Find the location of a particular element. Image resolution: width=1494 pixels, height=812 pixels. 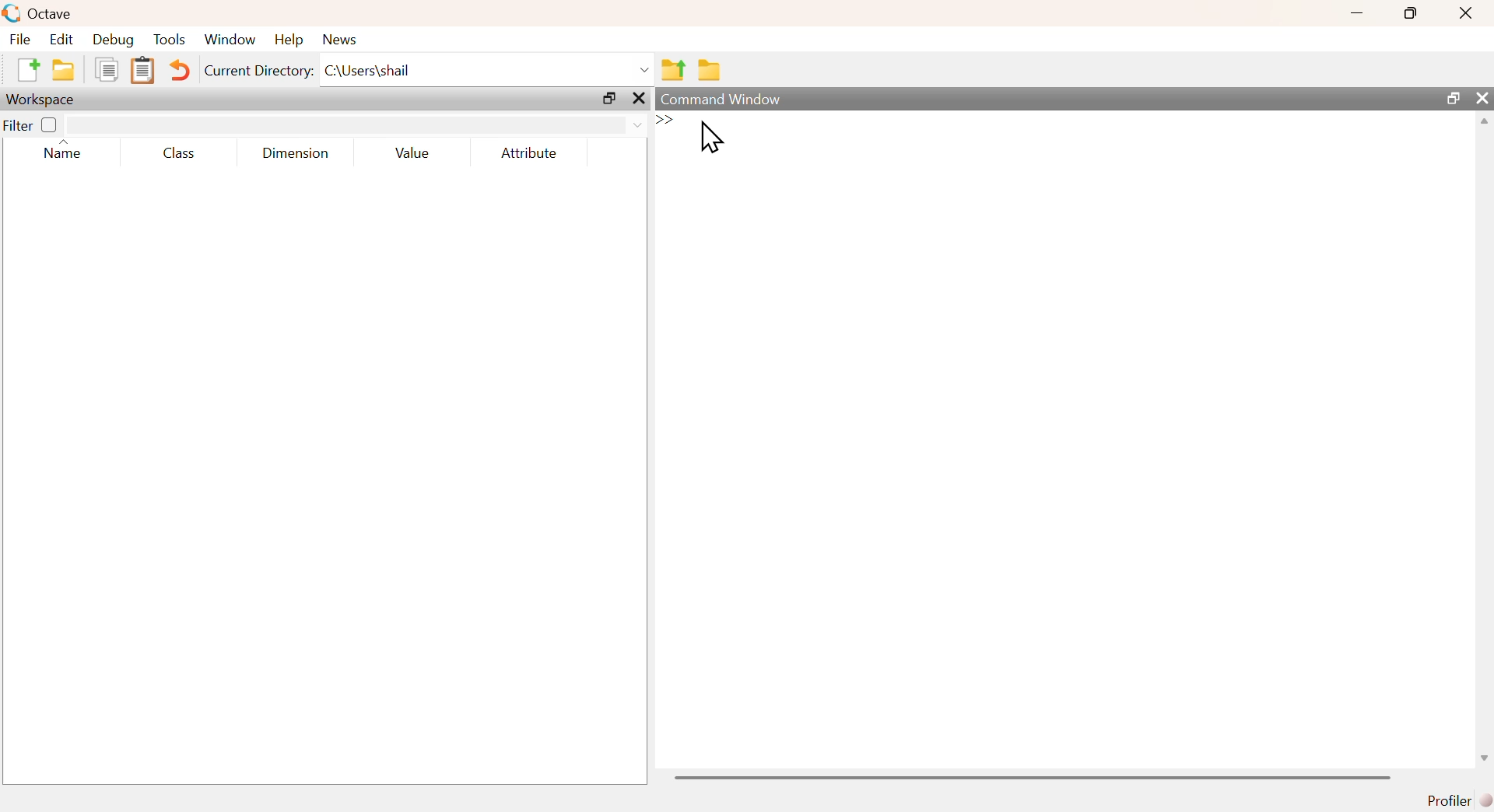

undo is located at coordinates (181, 73).